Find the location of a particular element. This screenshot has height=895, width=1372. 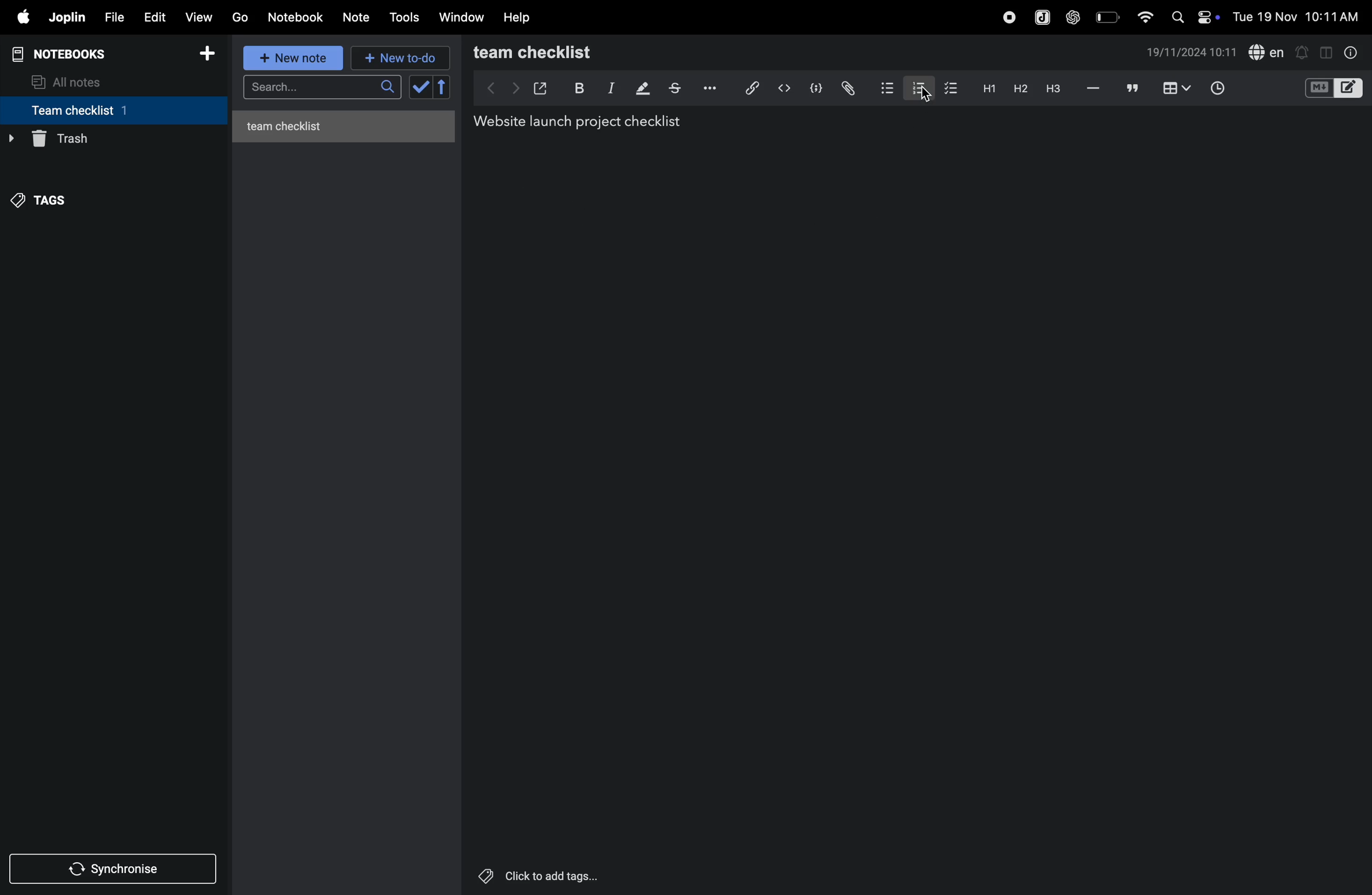

time is located at coordinates (1219, 87).